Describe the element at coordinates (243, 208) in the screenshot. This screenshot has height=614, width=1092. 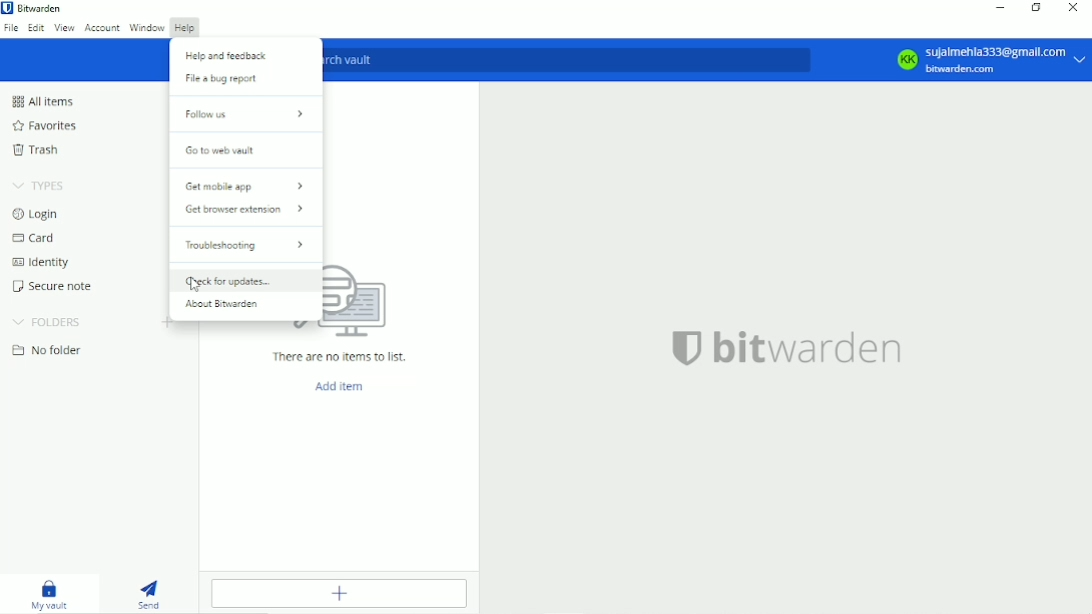
I see `Get browser extension >` at that location.